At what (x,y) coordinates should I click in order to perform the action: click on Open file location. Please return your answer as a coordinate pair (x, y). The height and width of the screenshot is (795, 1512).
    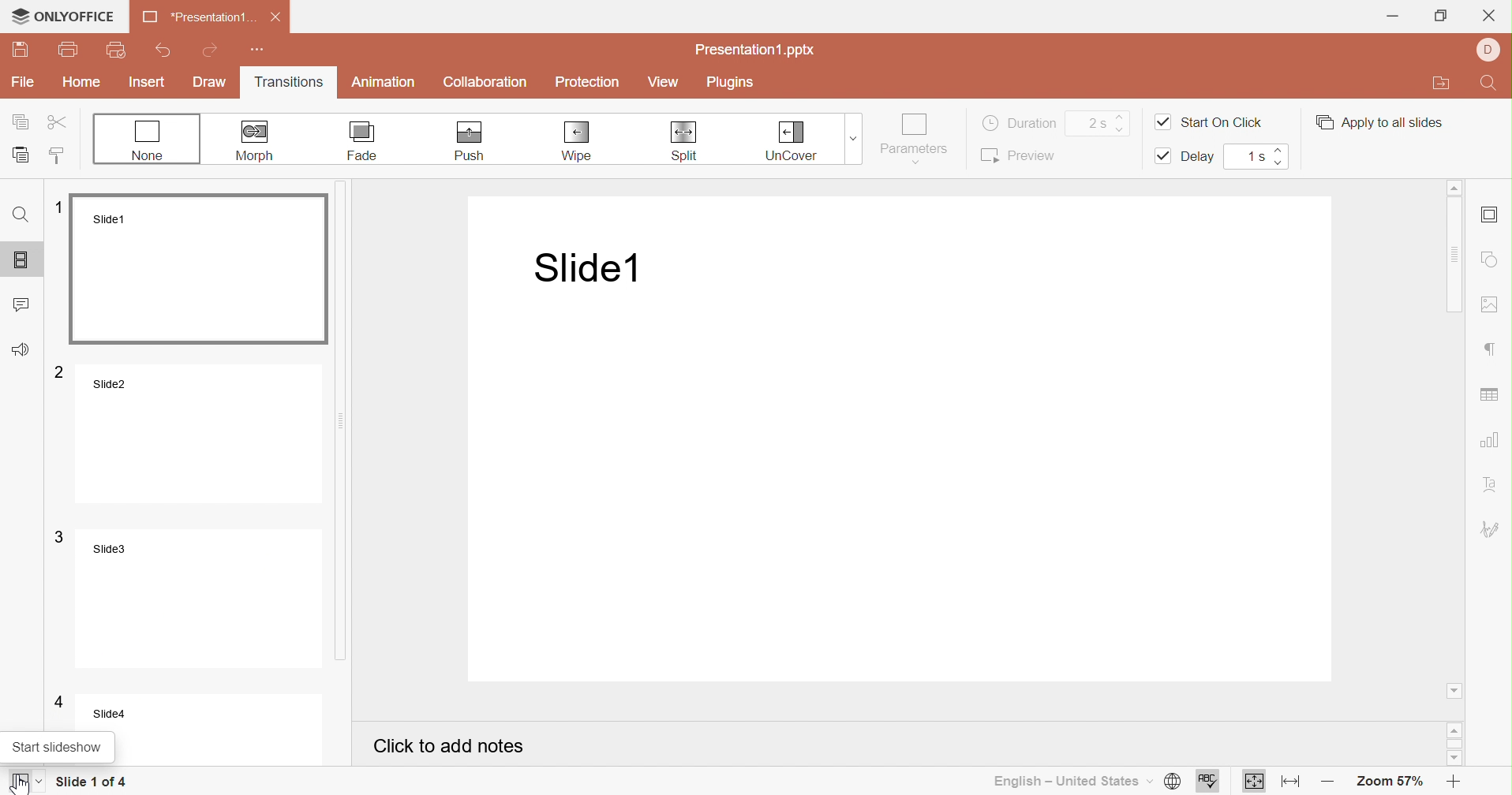
    Looking at the image, I should click on (1441, 84).